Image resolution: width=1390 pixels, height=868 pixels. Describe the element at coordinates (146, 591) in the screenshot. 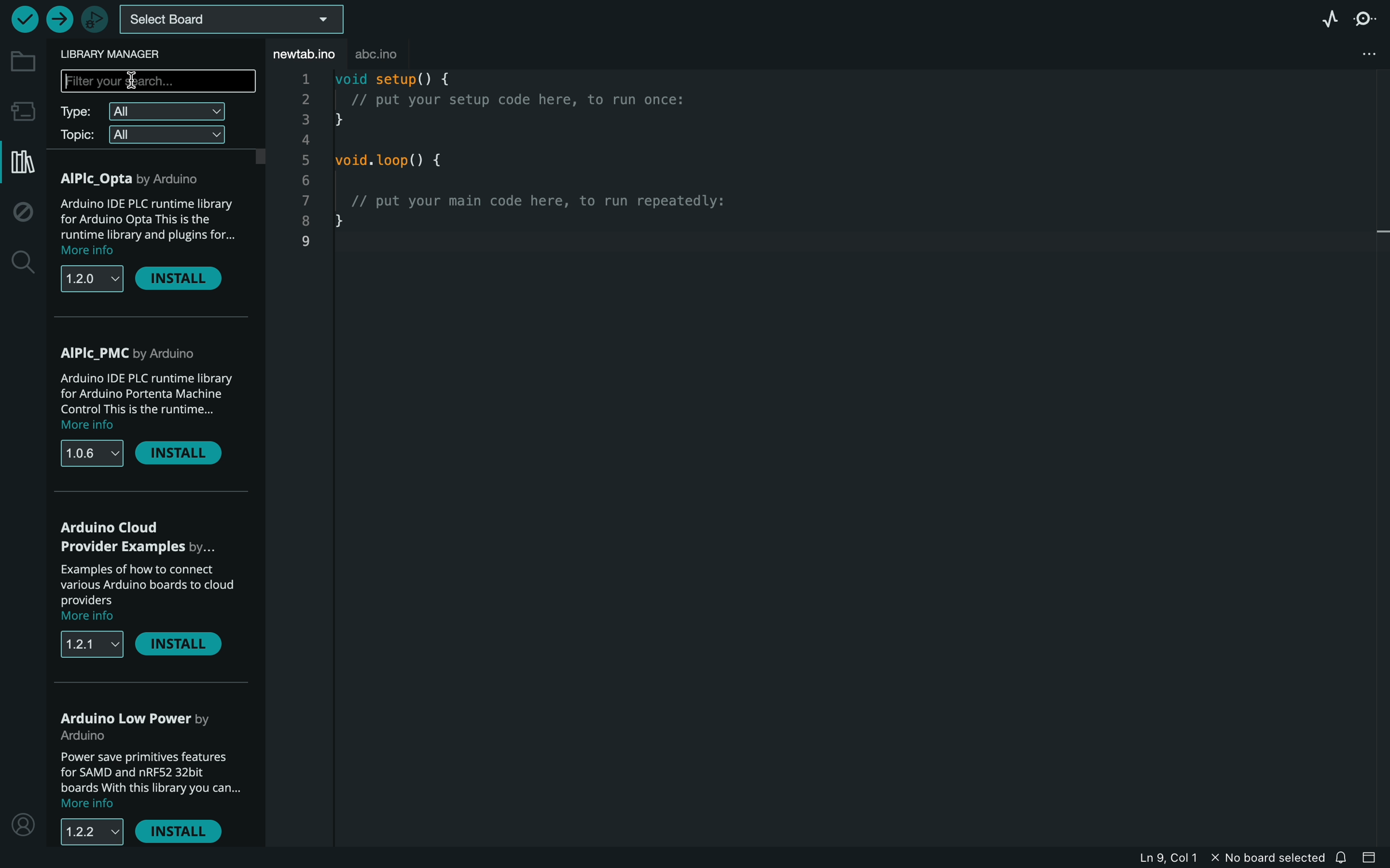

I see `description` at that location.